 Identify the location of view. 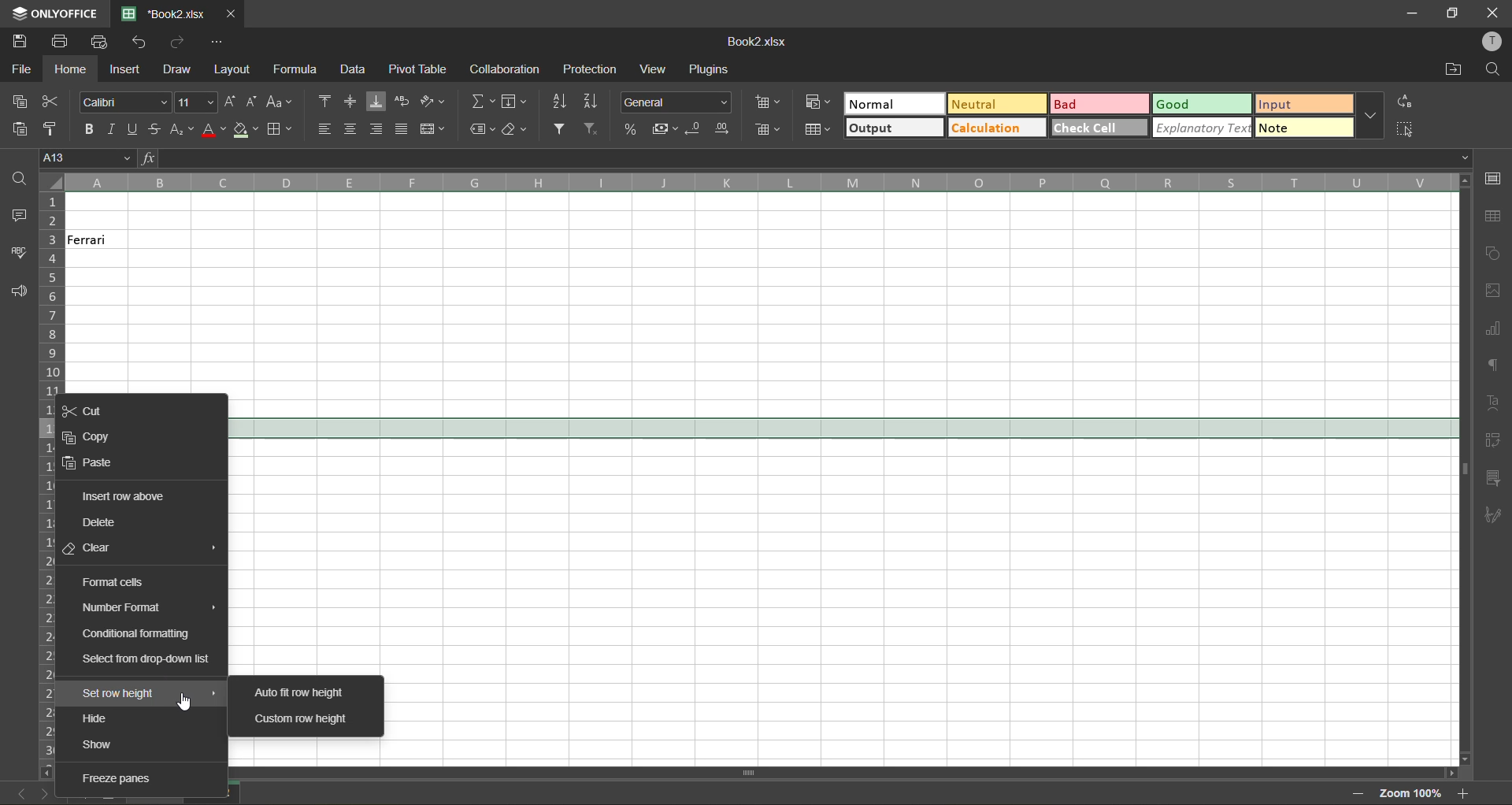
(652, 68).